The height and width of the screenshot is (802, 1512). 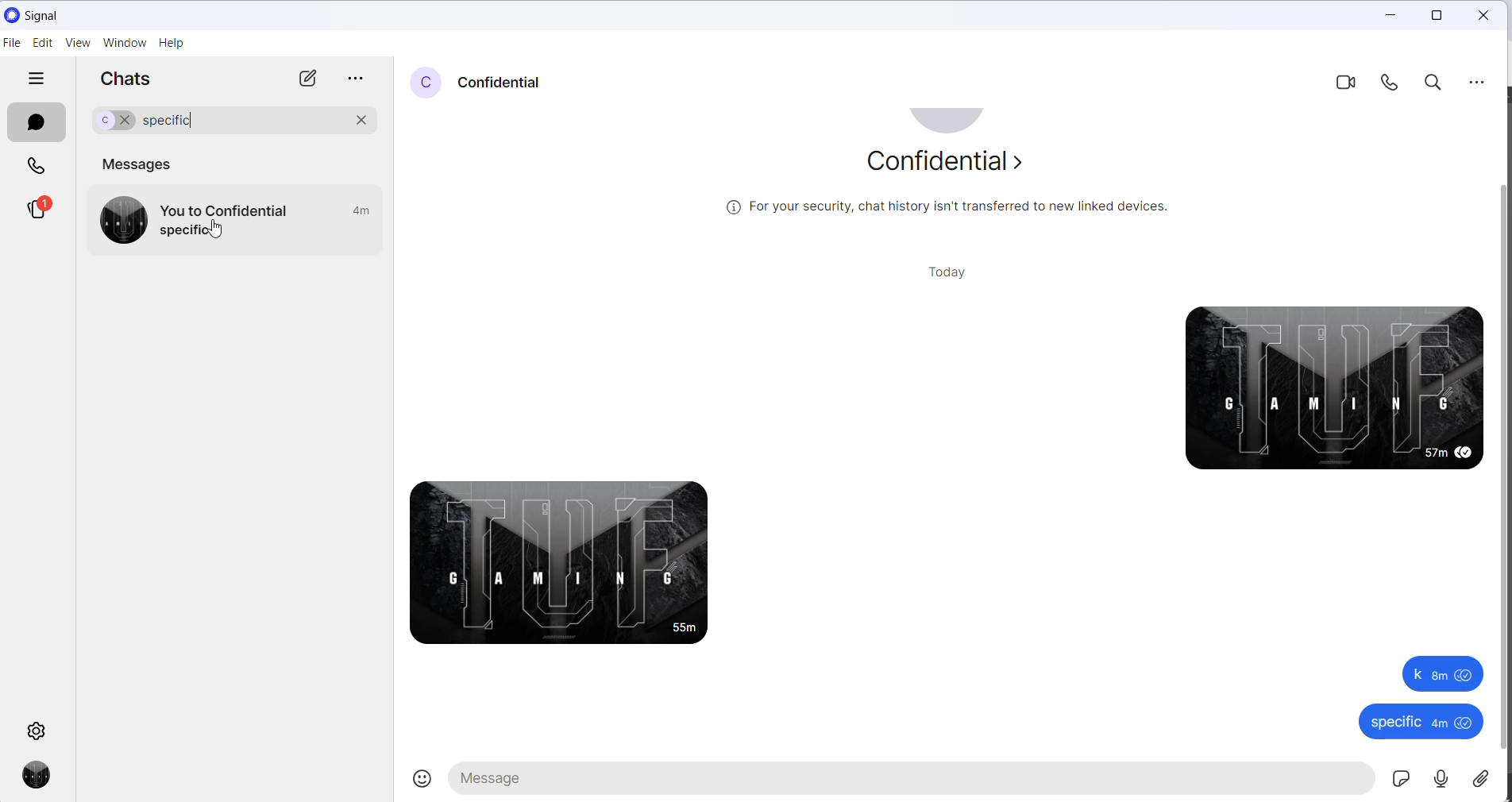 I want to click on sent messages, so click(x=1322, y=386).